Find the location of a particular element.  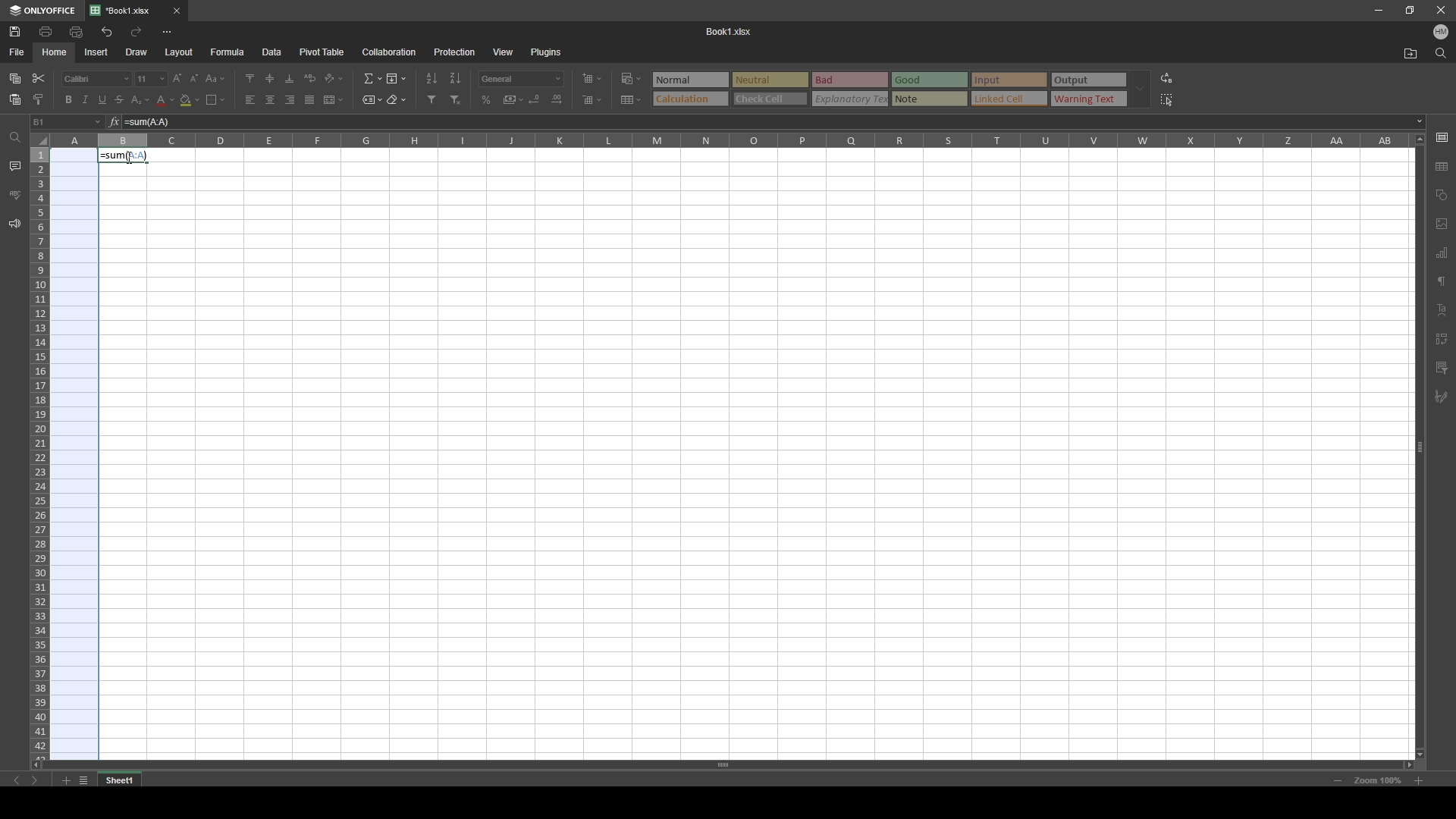

zoom out is located at coordinates (1338, 780).